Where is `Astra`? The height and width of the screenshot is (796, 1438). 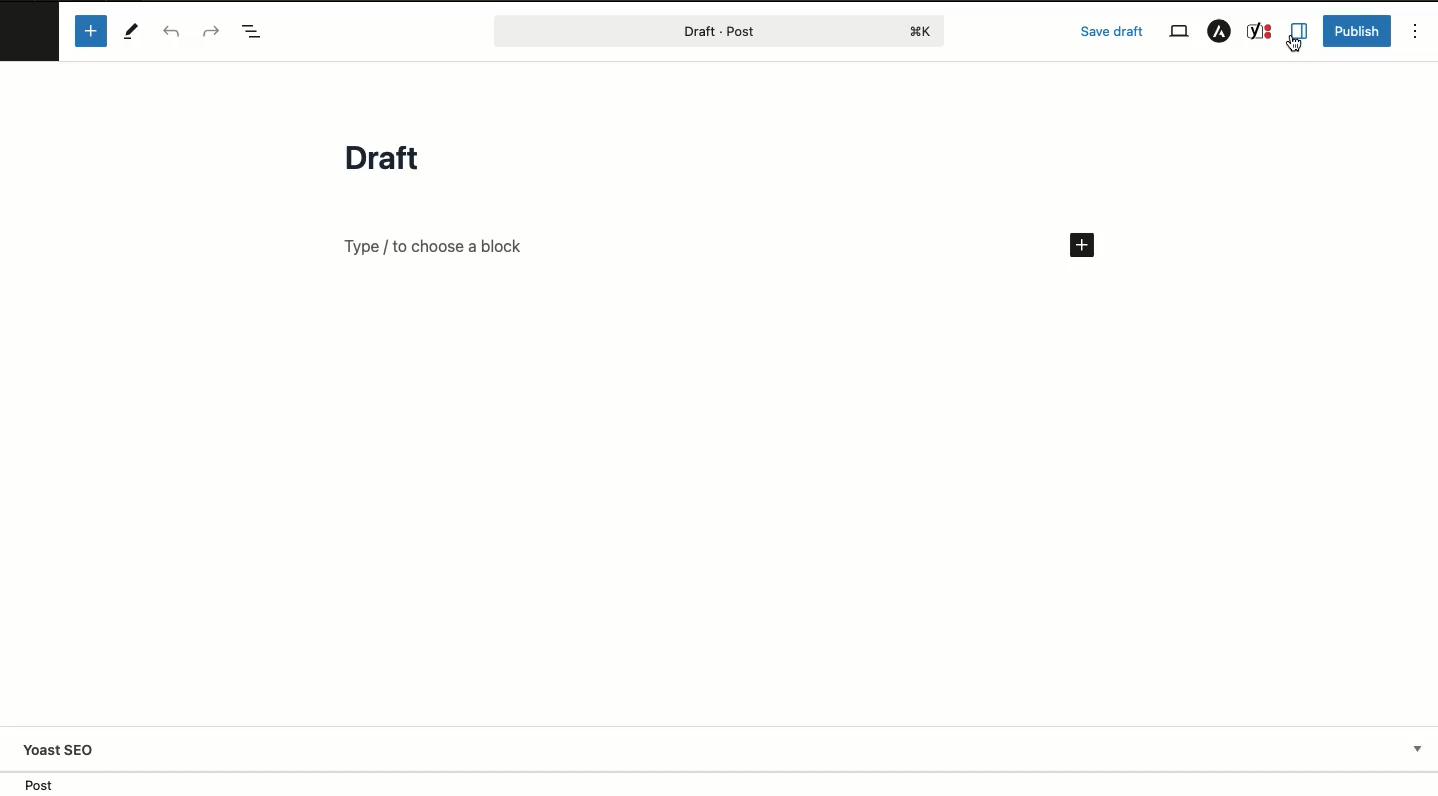
Astra is located at coordinates (1220, 34).